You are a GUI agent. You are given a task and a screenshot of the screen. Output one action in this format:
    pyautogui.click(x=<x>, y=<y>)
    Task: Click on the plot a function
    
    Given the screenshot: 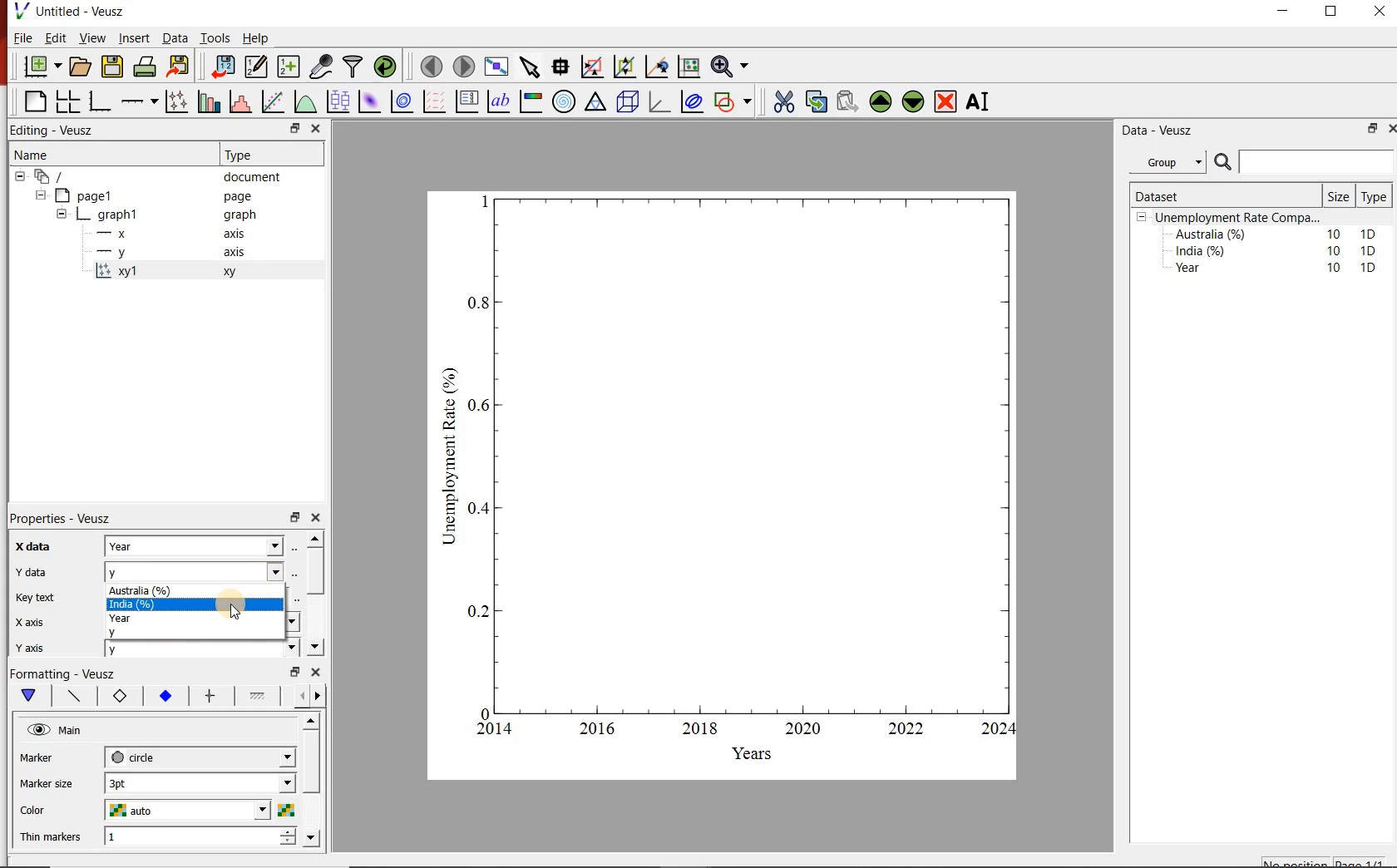 What is the action you would take?
    pyautogui.click(x=305, y=101)
    